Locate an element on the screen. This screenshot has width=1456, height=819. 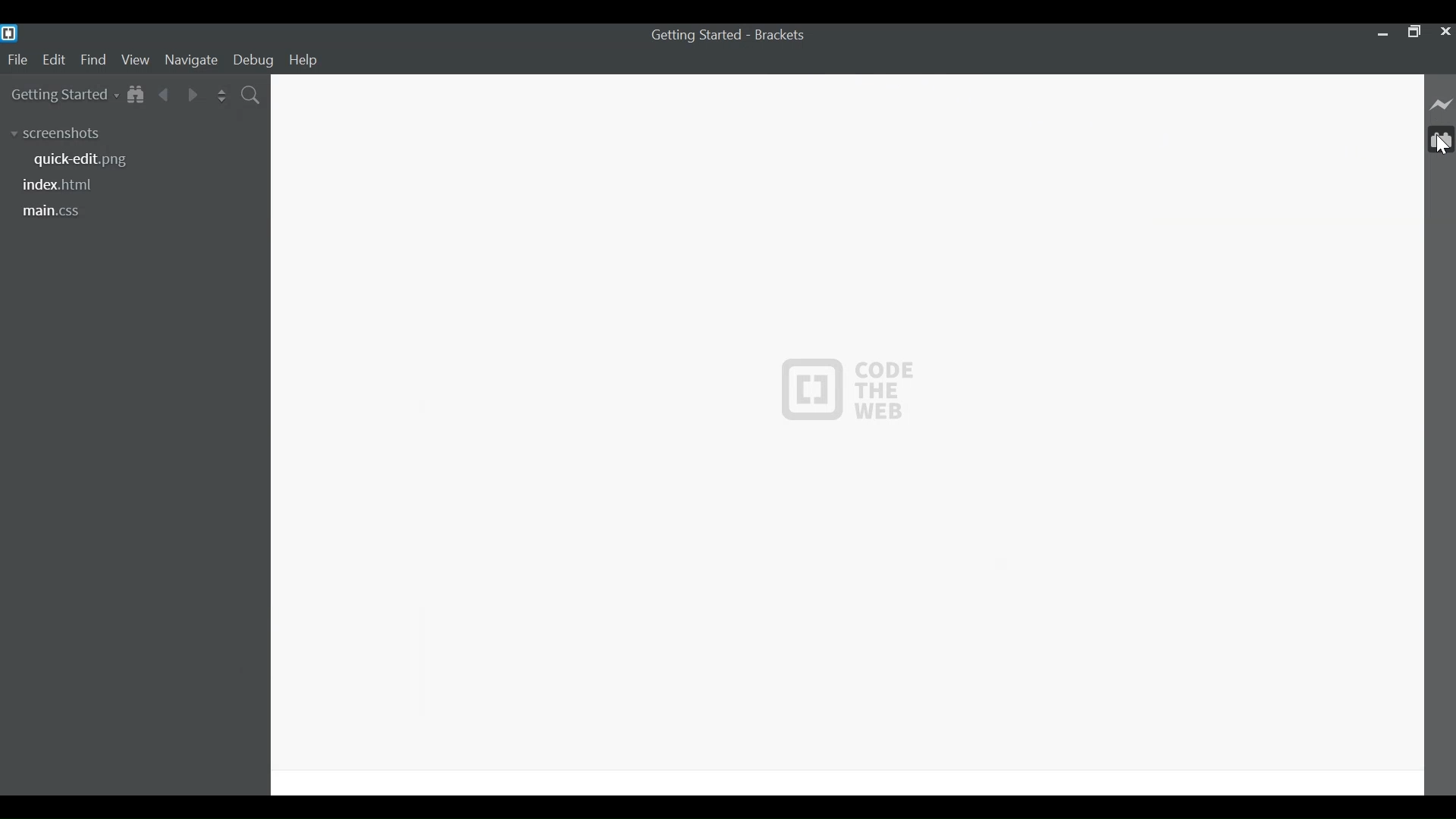
Brackets Desktop Icon is located at coordinates (9, 33).